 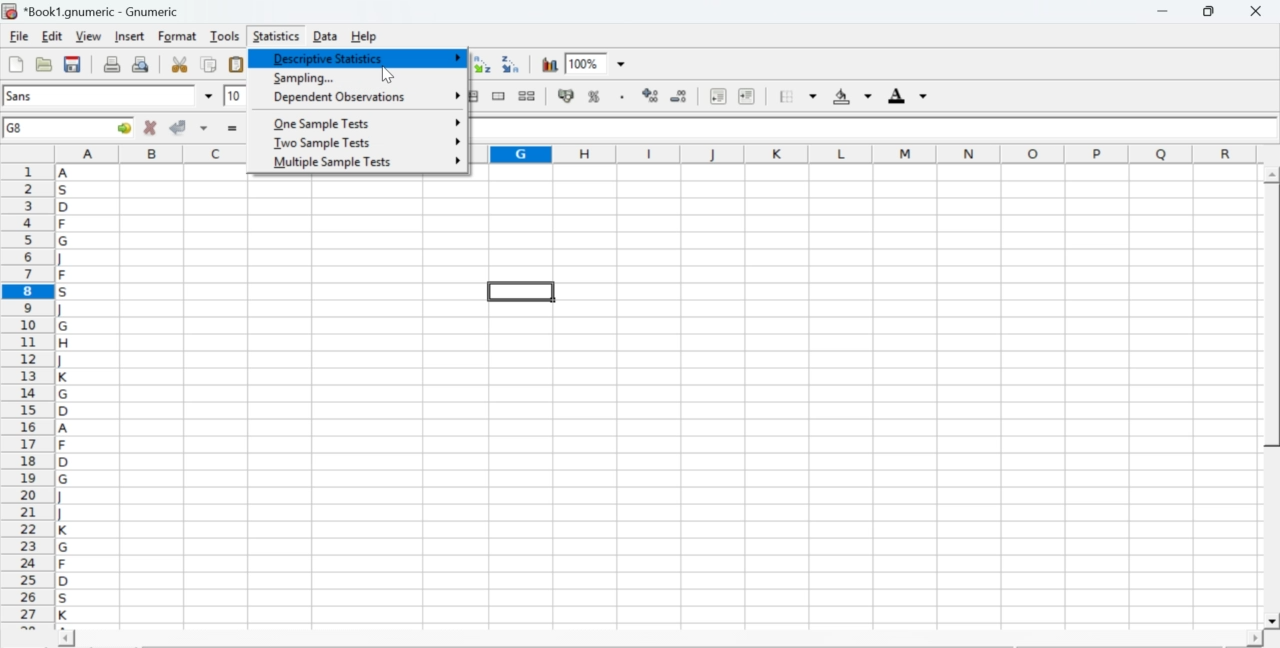 What do you see at coordinates (322, 143) in the screenshot?
I see `two sample tests` at bounding box center [322, 143].